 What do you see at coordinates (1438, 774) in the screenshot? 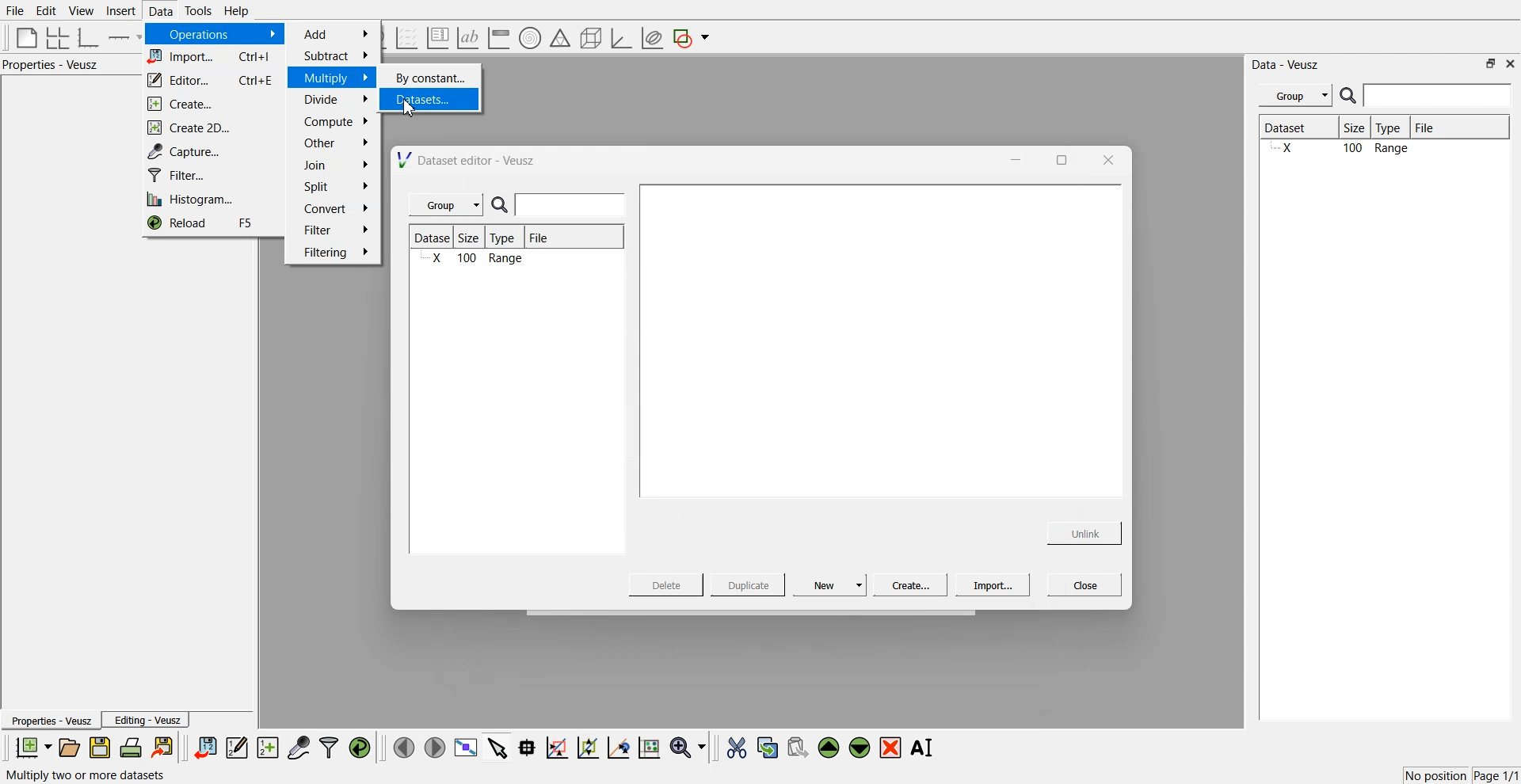
I see `No position` at bounding box center [1438, 774].